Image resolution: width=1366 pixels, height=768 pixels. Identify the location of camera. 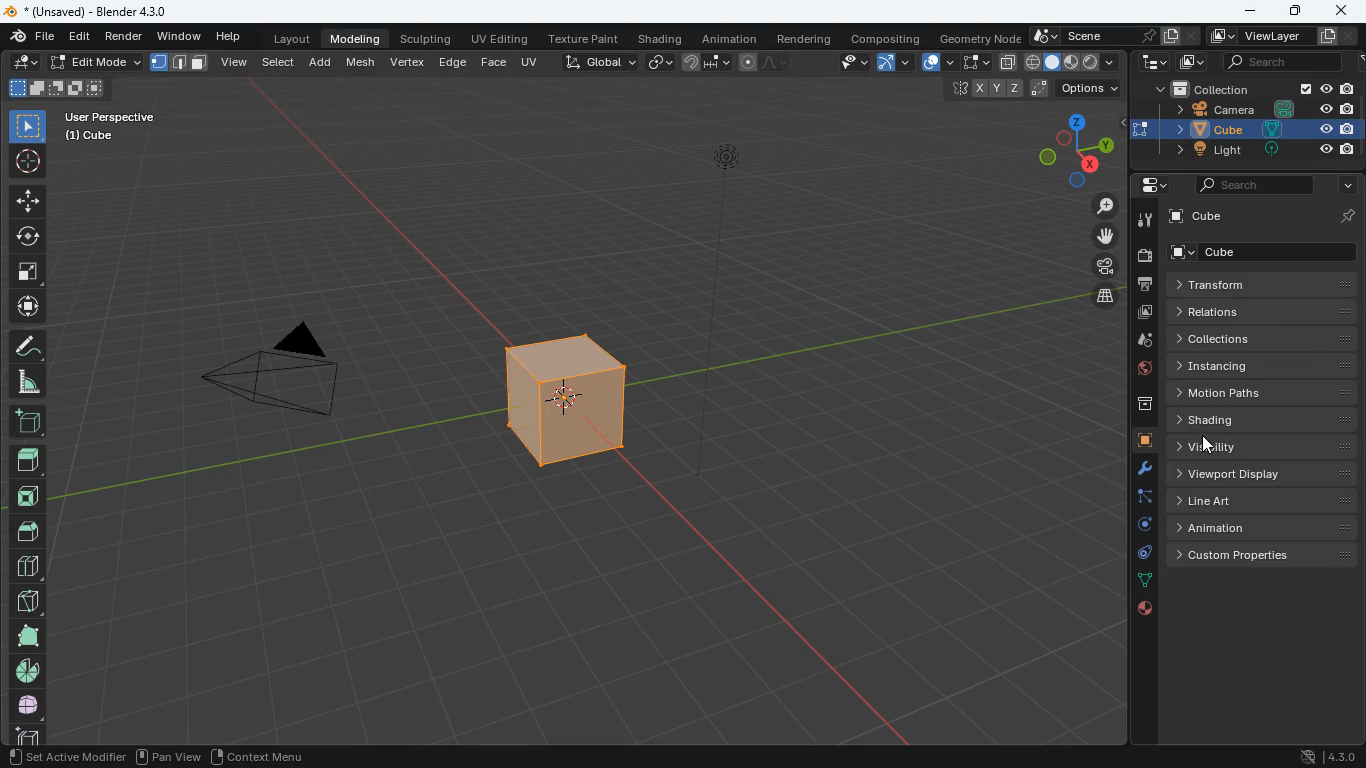
(1147, 258).